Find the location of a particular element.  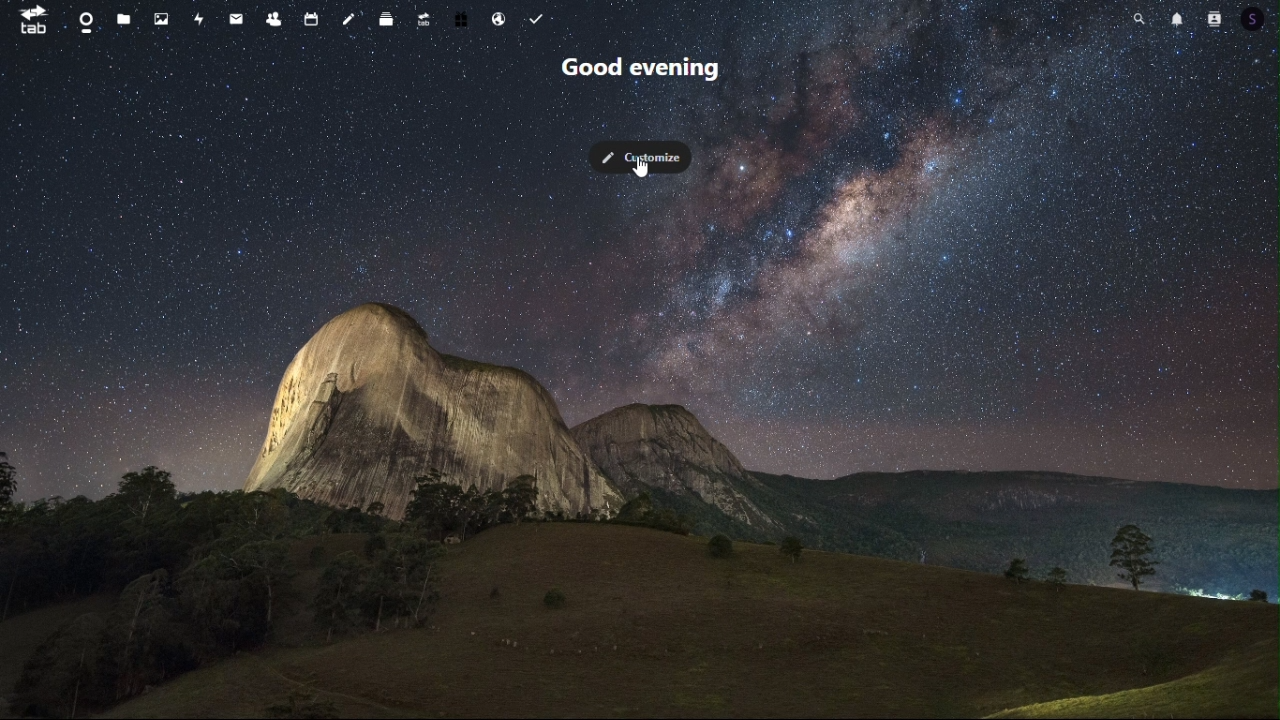

files is located at coordinates (124, 20).